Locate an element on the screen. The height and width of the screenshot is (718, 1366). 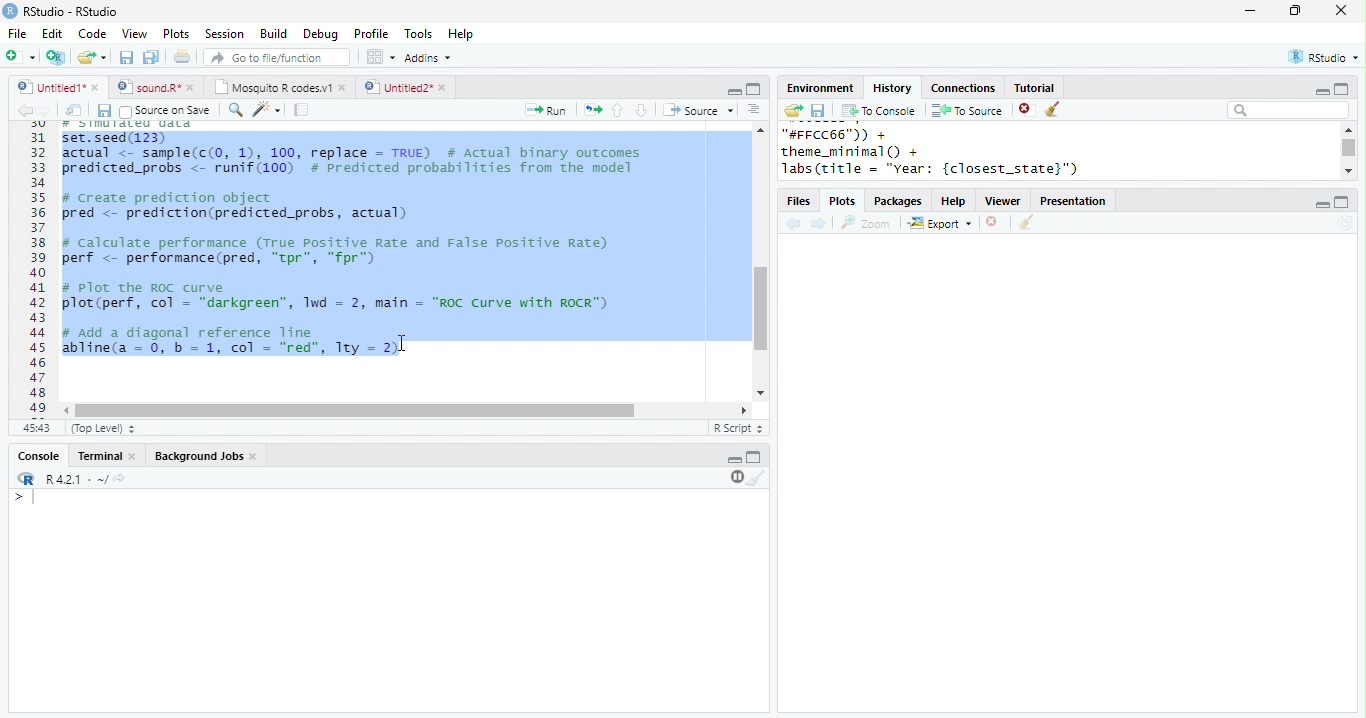
run is located at coordinates (545, 110).